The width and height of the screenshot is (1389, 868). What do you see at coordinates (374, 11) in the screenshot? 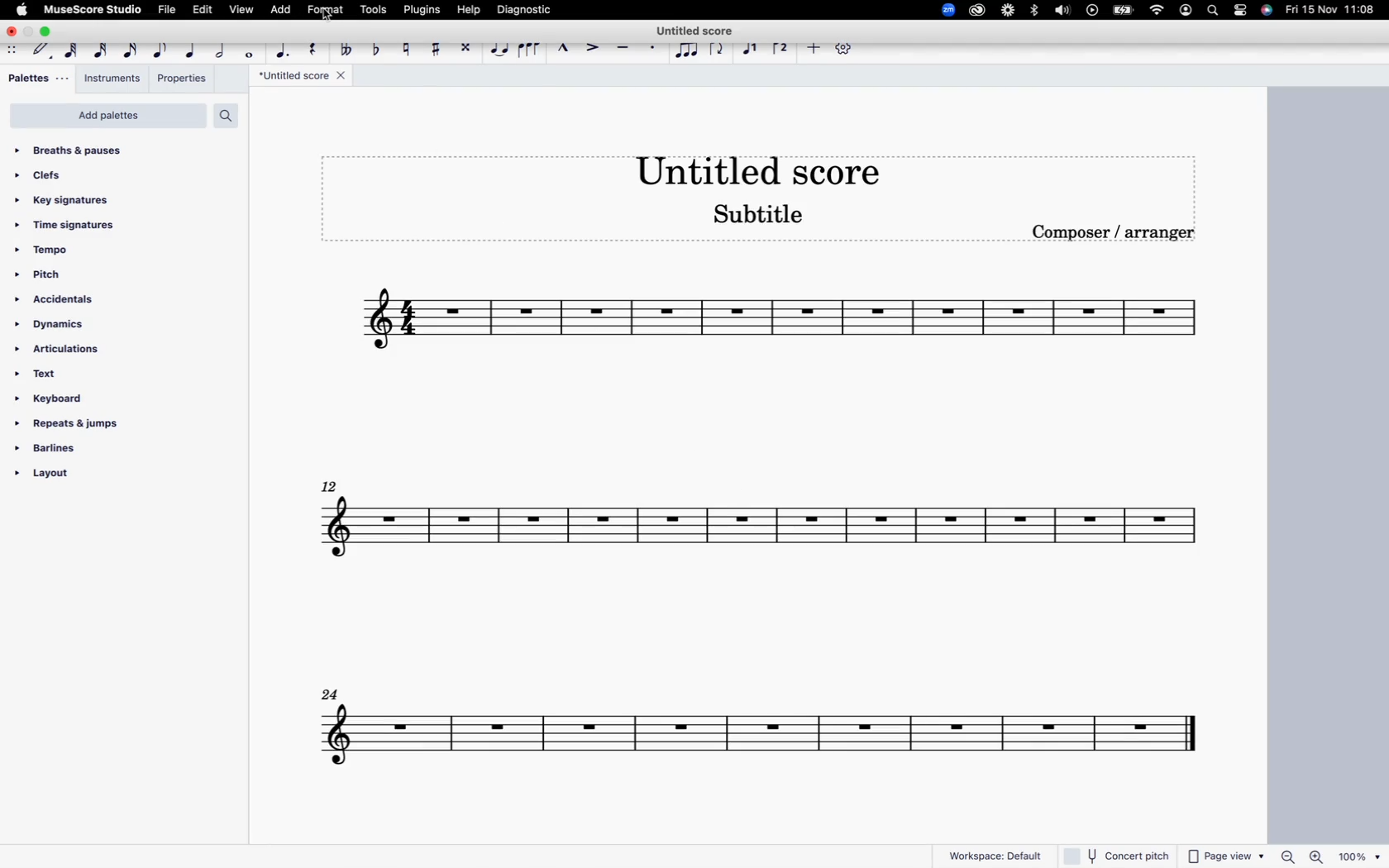
I see `tools` at bounding box center [374, 11].